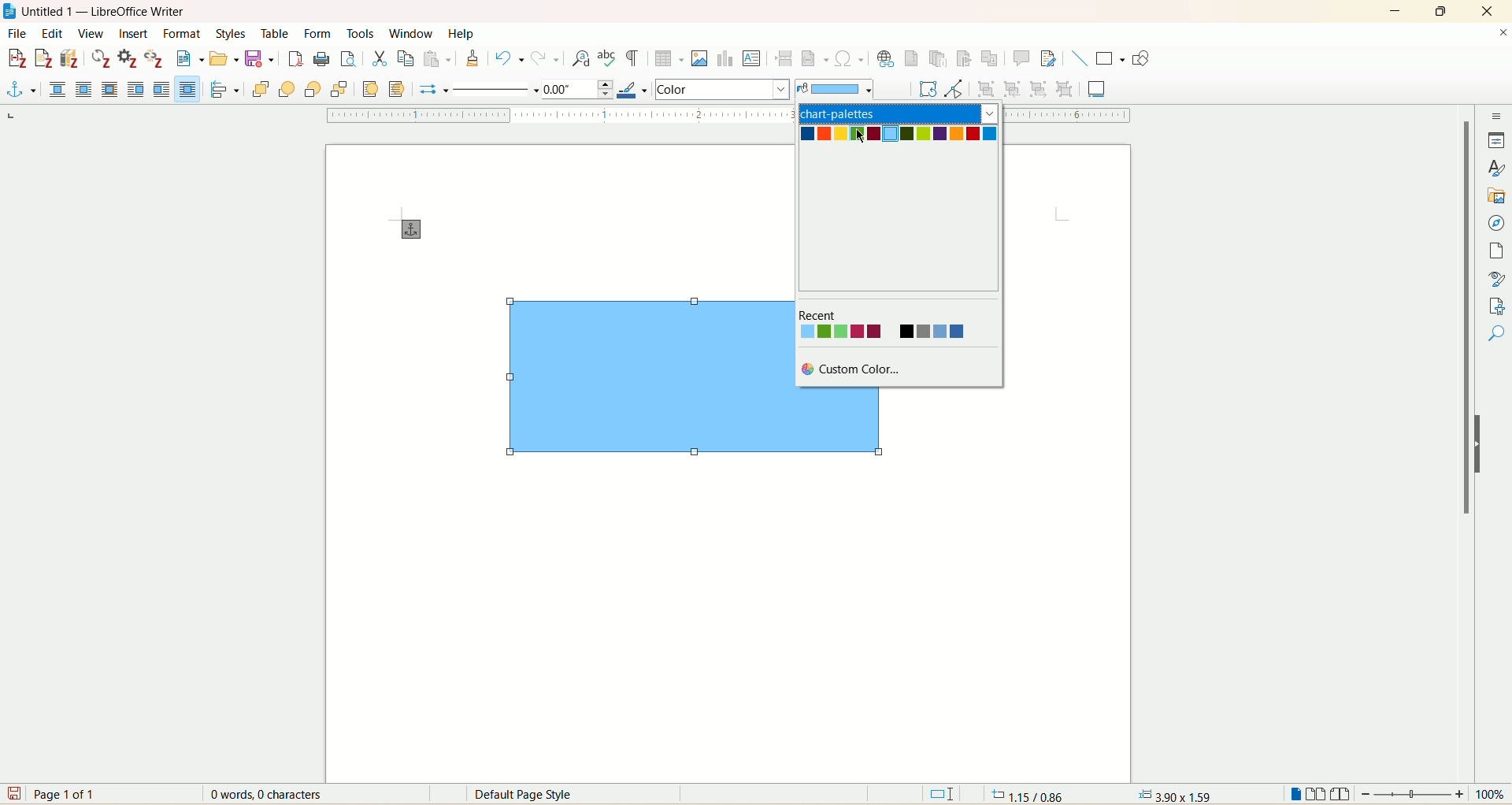 This screenshot has height=805, width=1512. Describe the element at coordinates (988, 88) in the screenshot. I see `group` at that location.